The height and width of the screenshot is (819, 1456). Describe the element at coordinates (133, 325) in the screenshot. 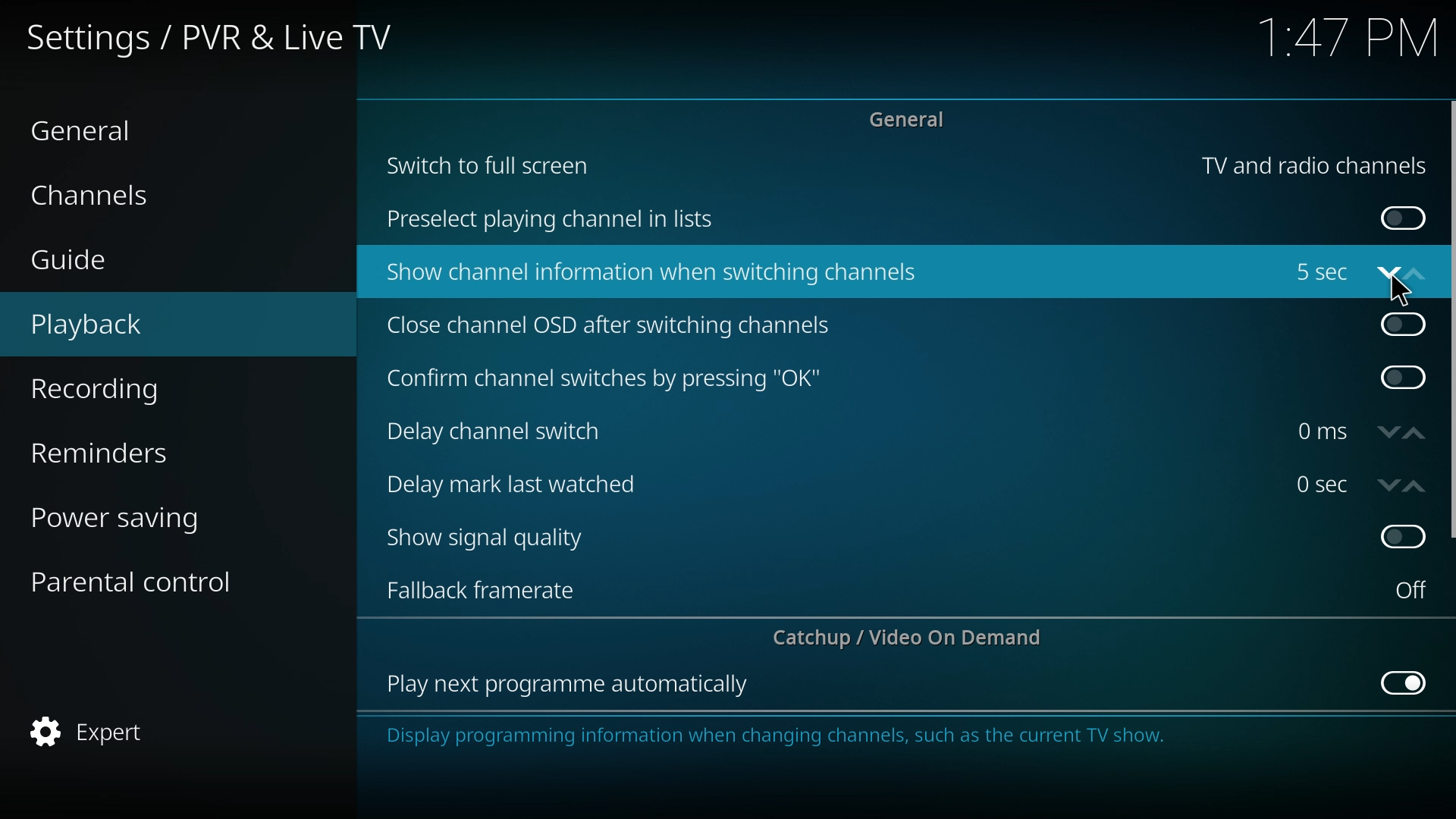

I see `playback` at that location.